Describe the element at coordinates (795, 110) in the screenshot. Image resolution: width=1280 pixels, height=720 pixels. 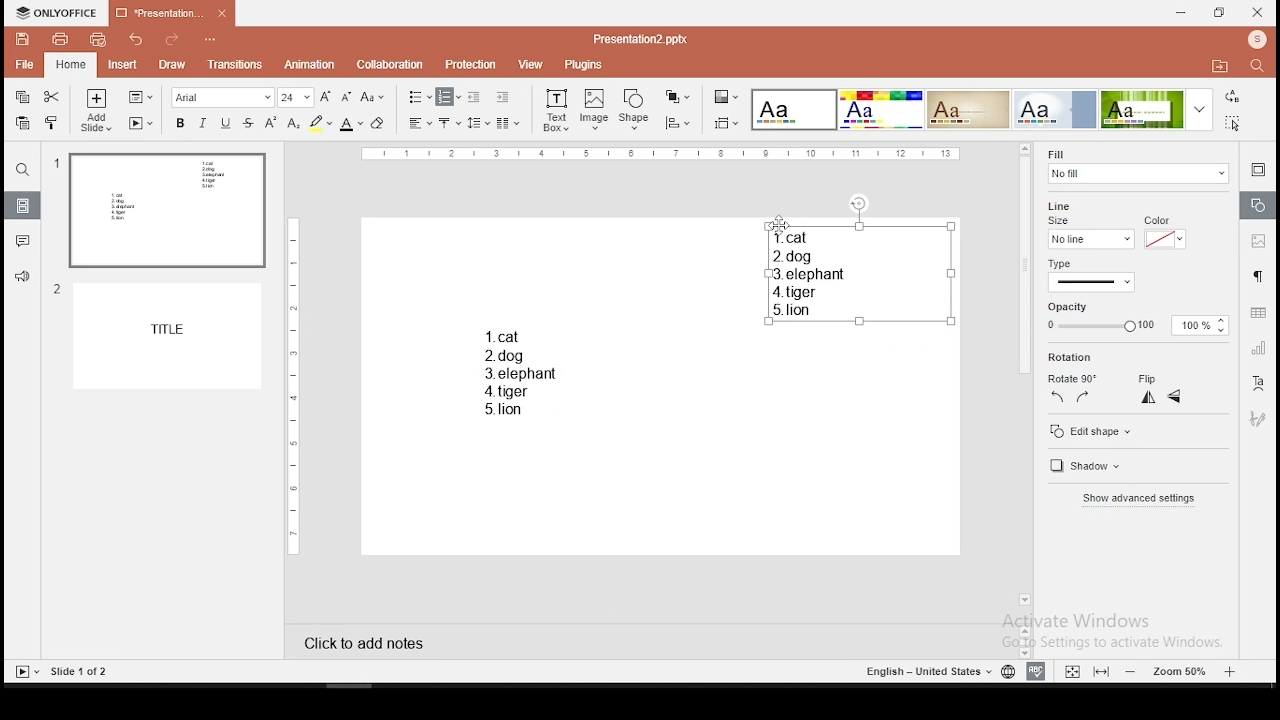
I see `theme` at that location.